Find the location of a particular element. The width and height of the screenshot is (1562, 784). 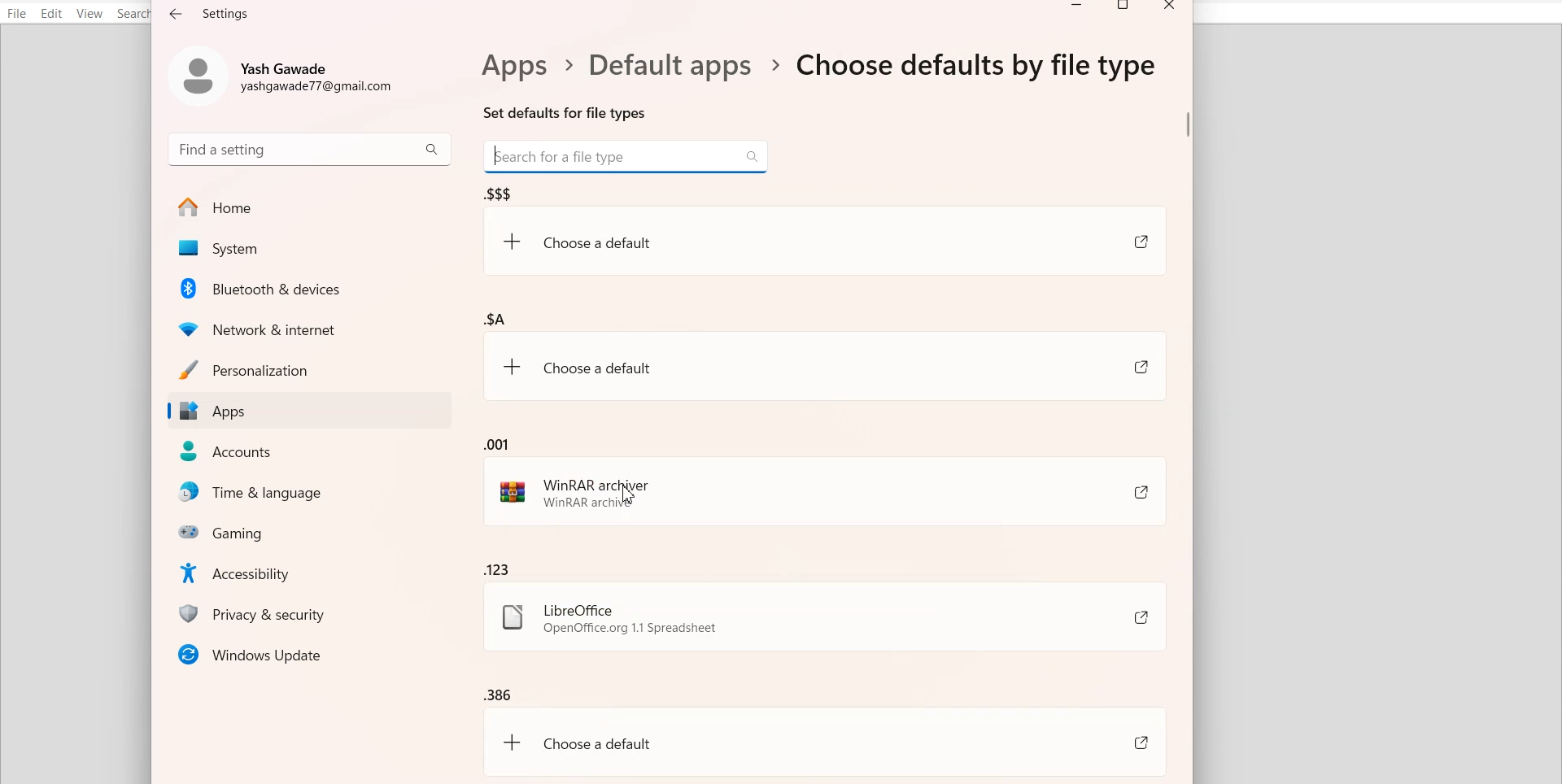

.123 is located at coordinates (825, 606).